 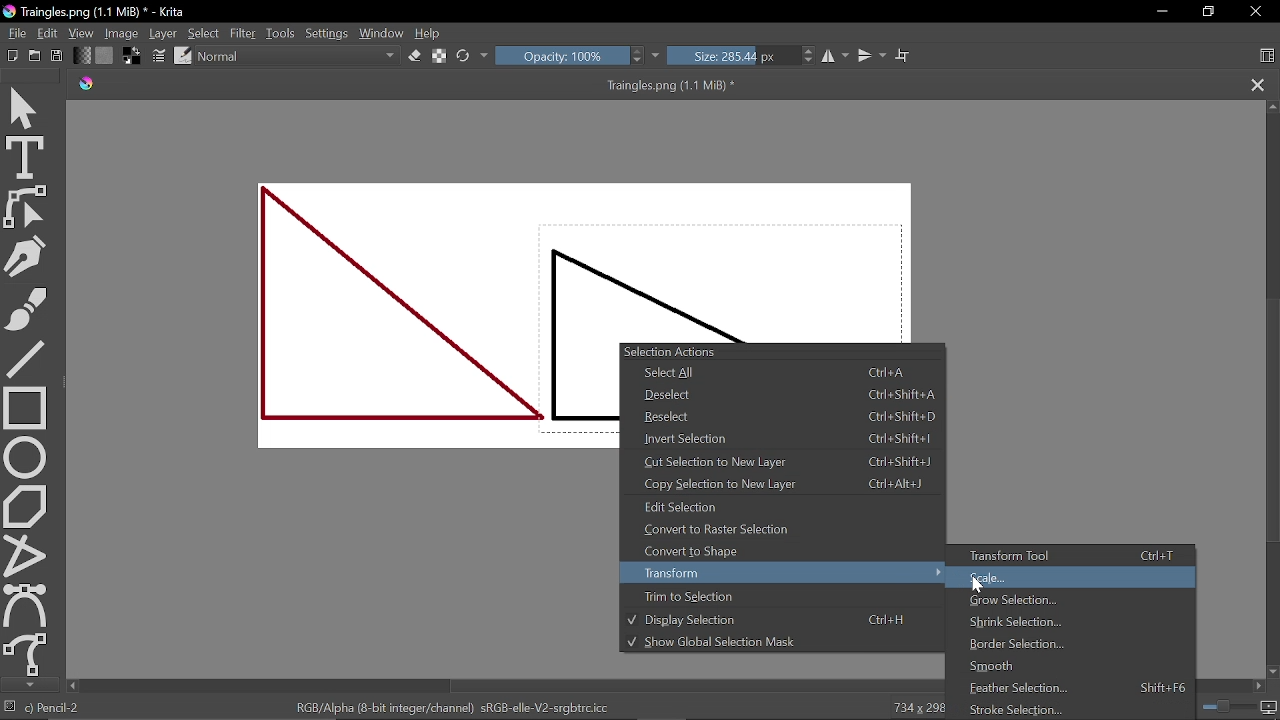 What do you see at coordinates (473, 56) in the screenshot?
I see `Reload original preset` at bounding box center [473, 56].